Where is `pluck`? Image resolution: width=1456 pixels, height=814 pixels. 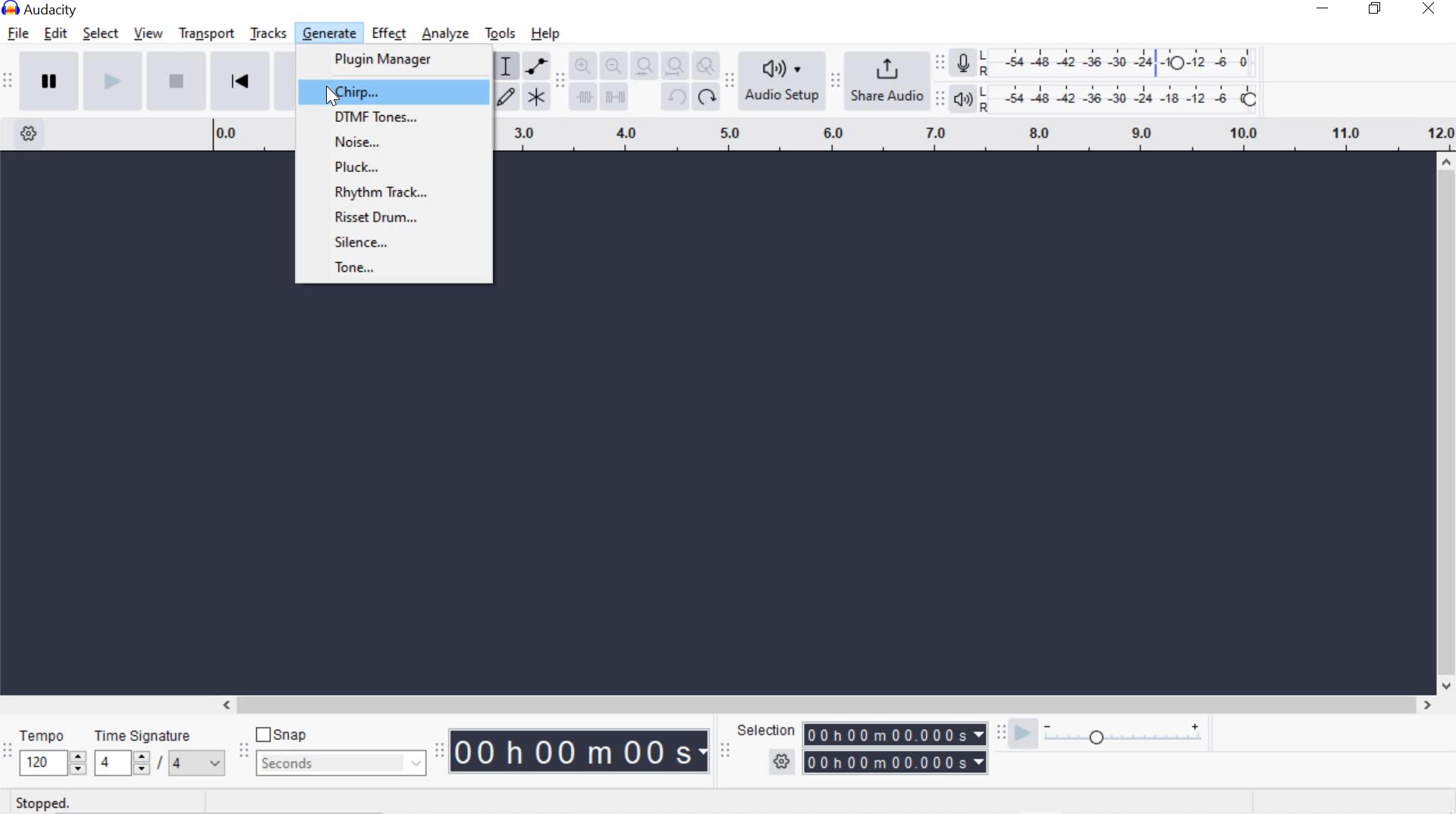
pluck is located at coordinates (397, 168).